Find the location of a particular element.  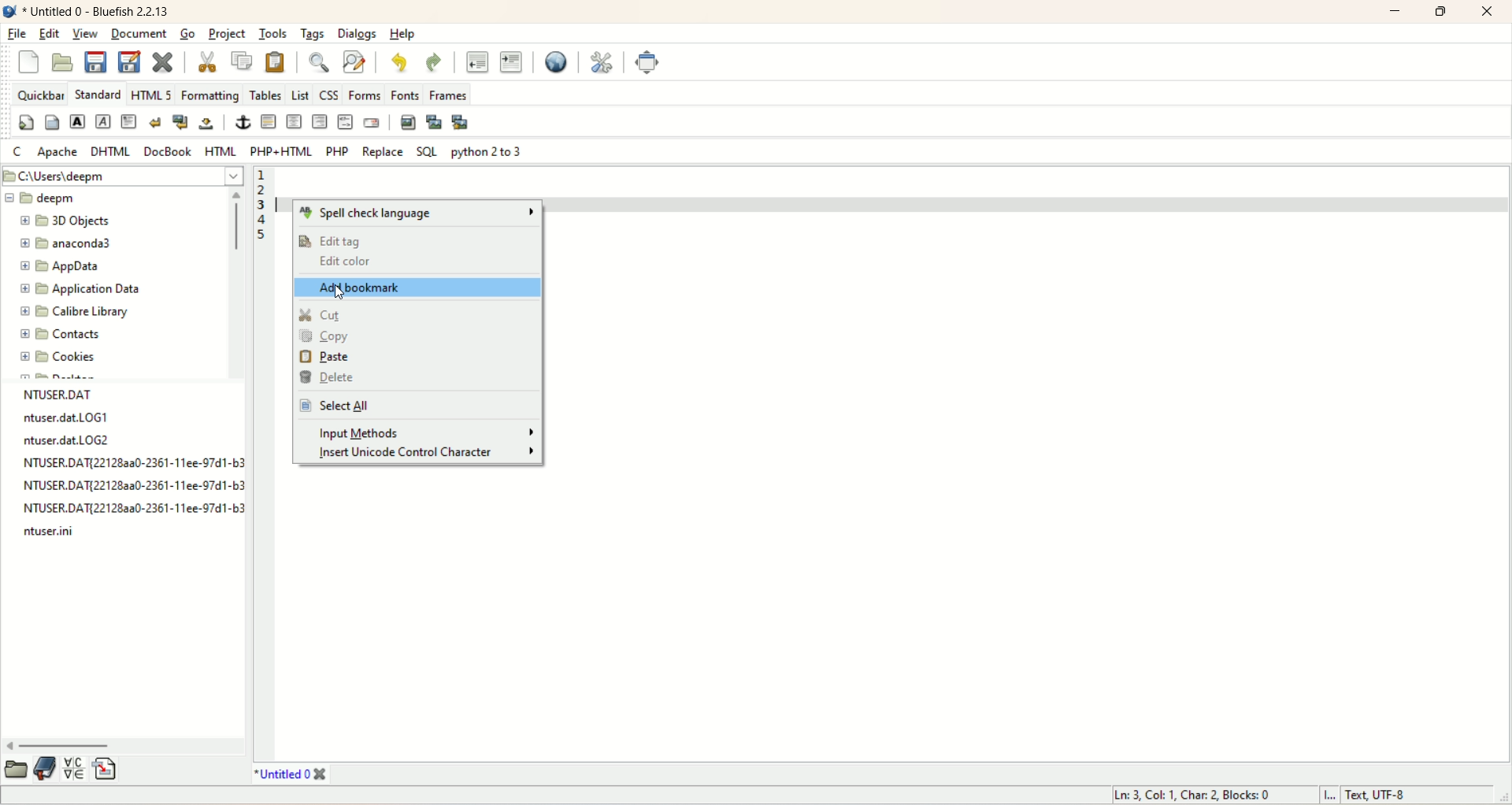

file name is located at coordinates (131, 465).